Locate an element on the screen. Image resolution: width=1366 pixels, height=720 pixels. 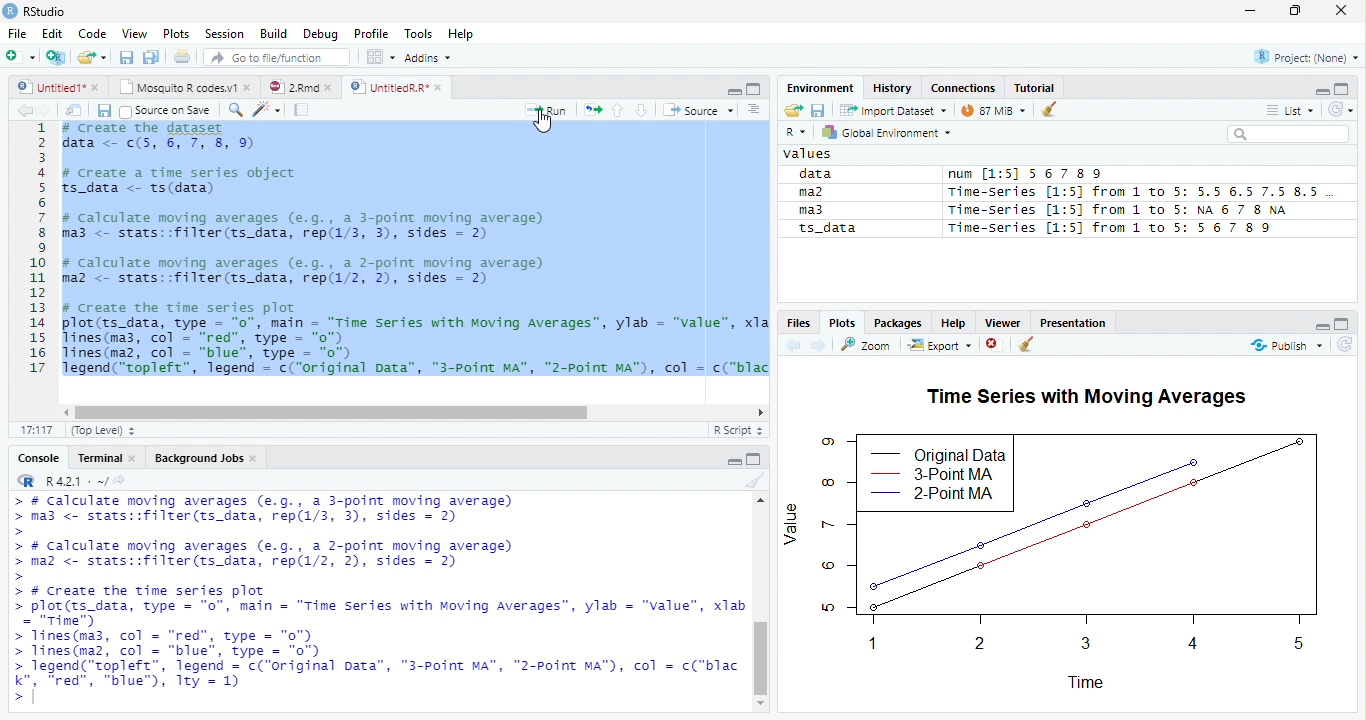
Debug is located at coordinates (320, 34).